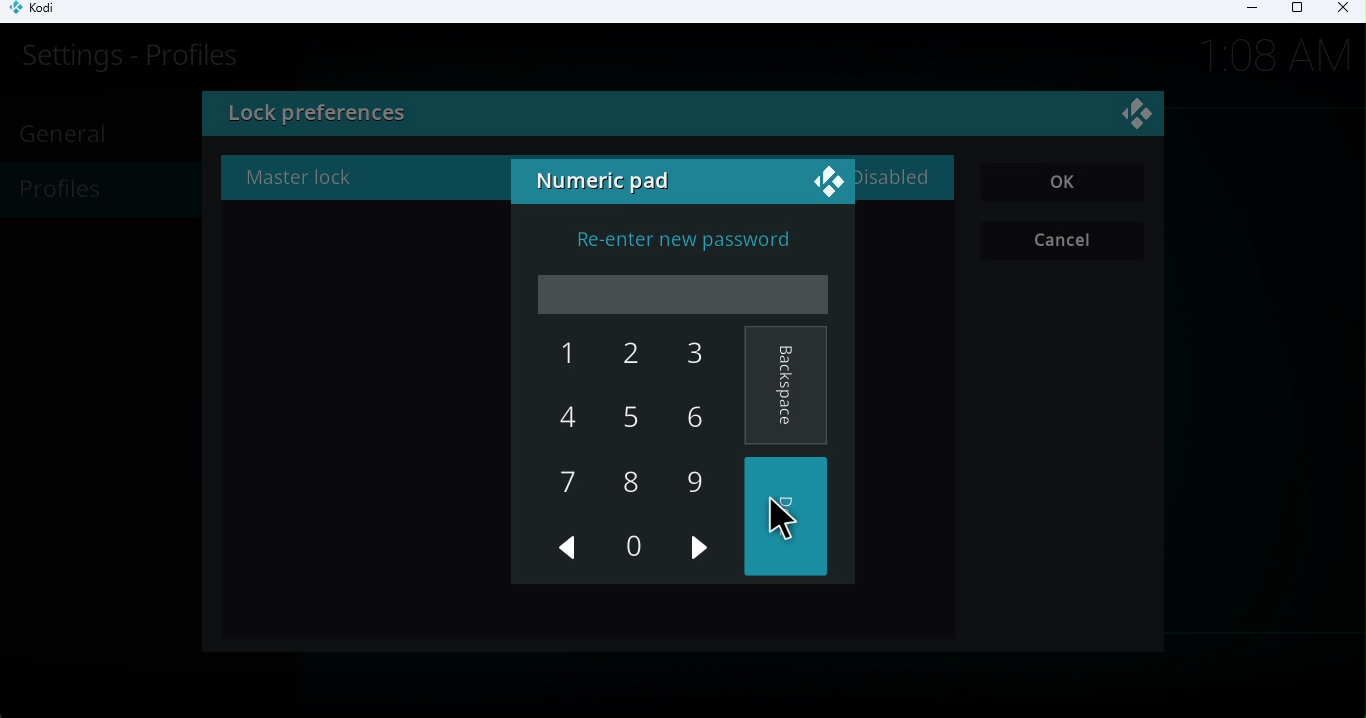 This screenshot has width=1366, height=718. I want to click on 1, so click(559, 355).